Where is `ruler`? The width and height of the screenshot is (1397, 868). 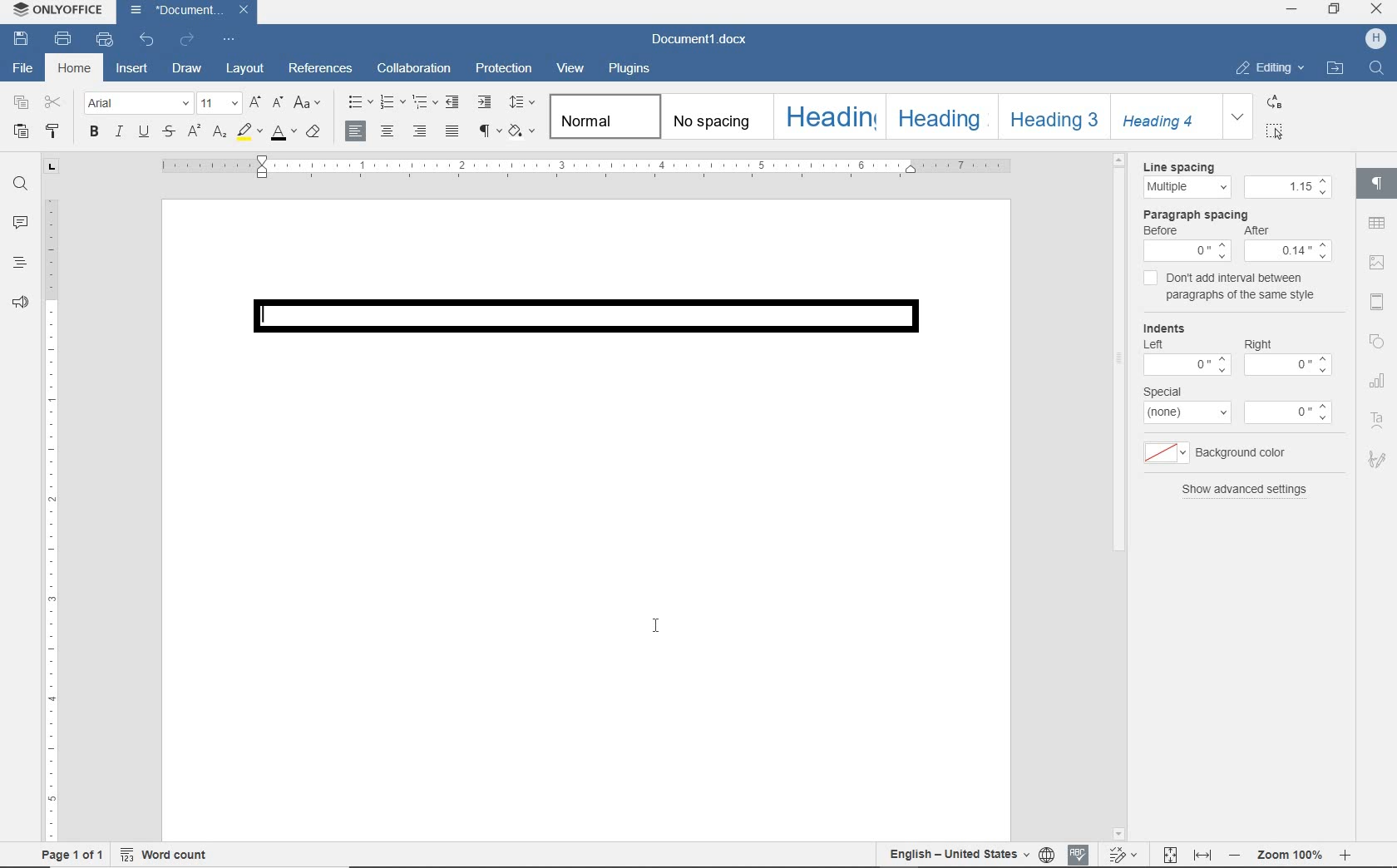
ruler is located at coordinates (52, 501).